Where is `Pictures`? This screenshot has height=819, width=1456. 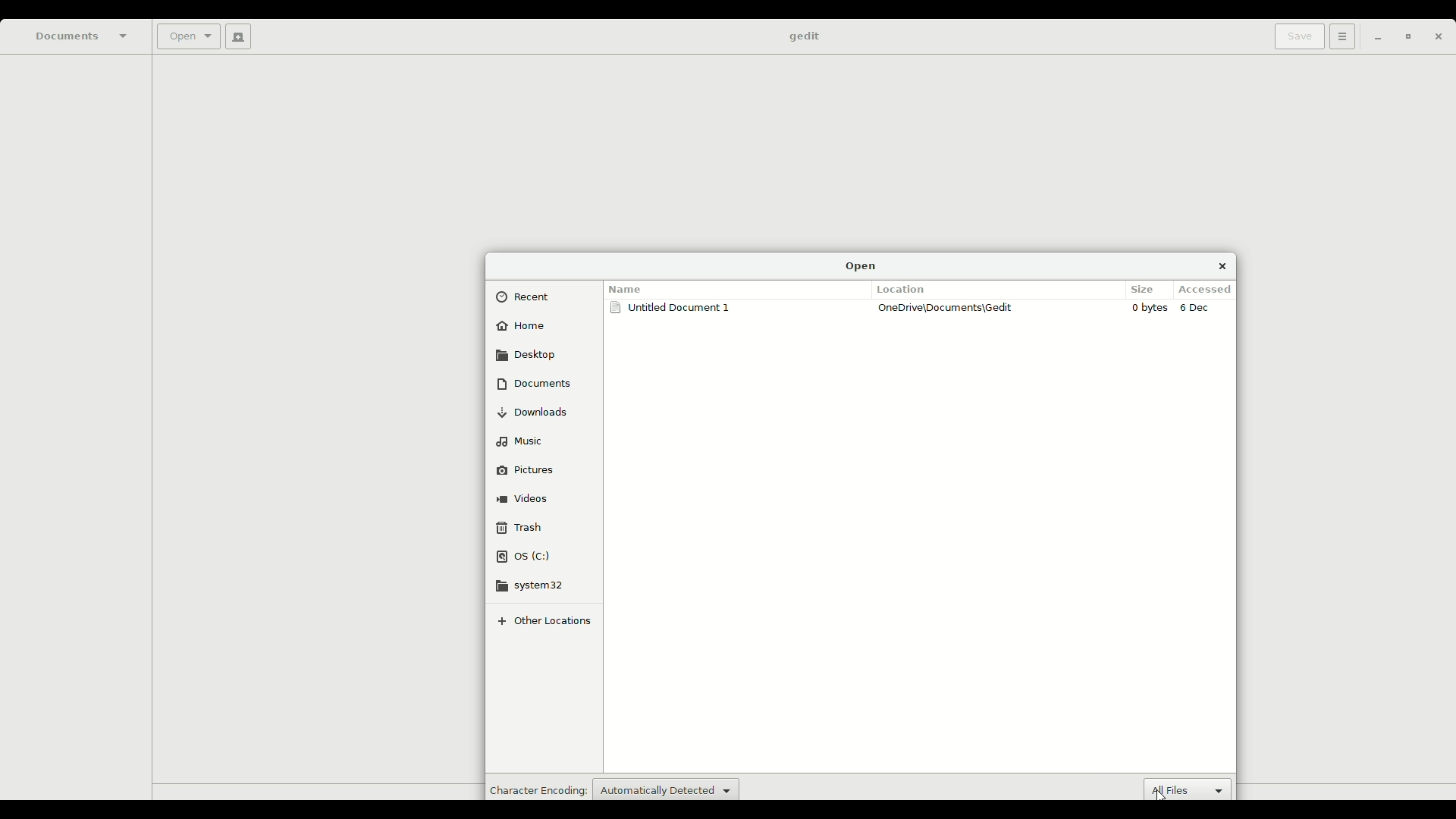
Pictures is located at coordinates (535, 468).